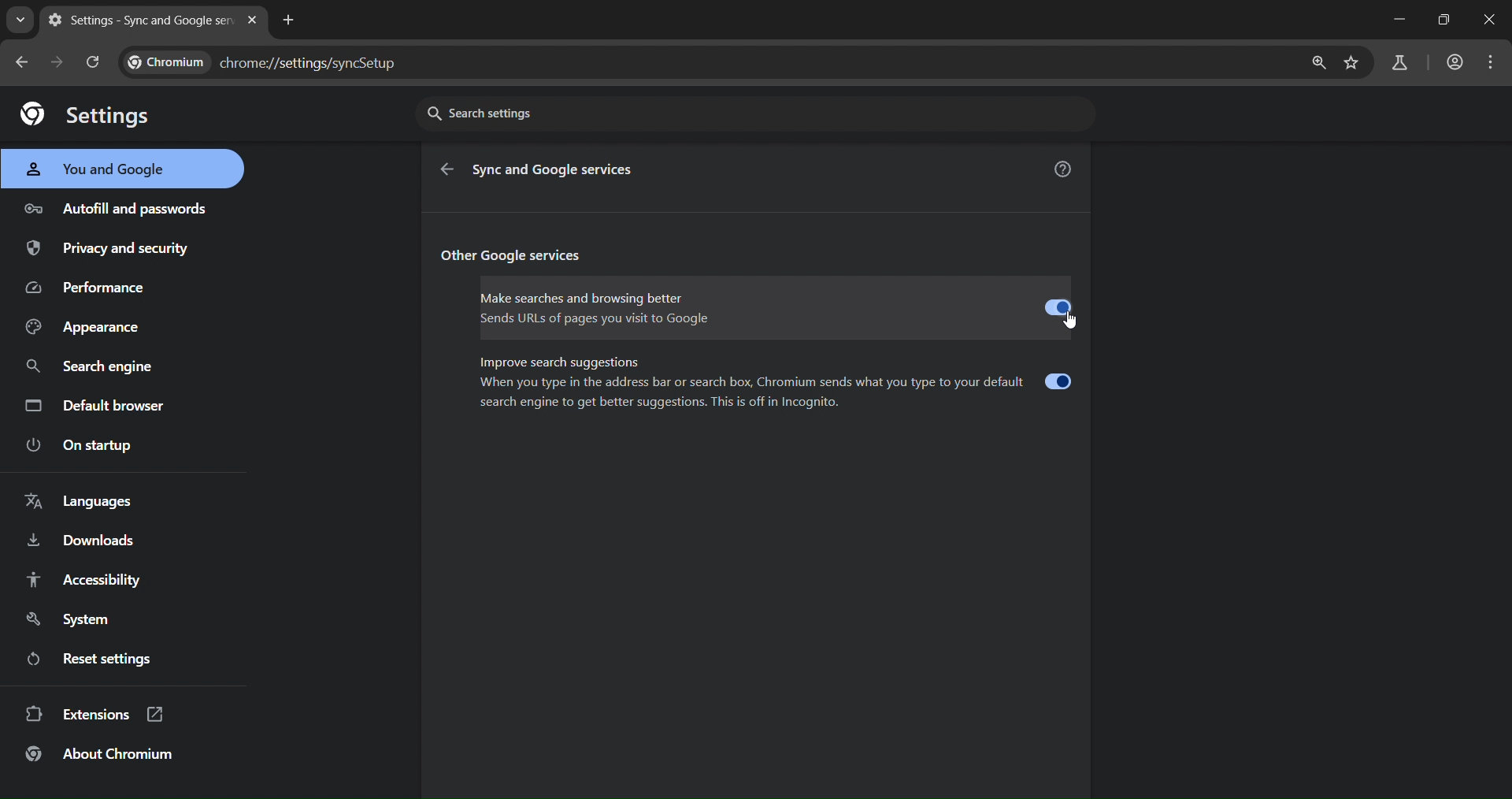 This screenshot has height=799, width=1512. I want to click on restore down, so click(1446, 21).